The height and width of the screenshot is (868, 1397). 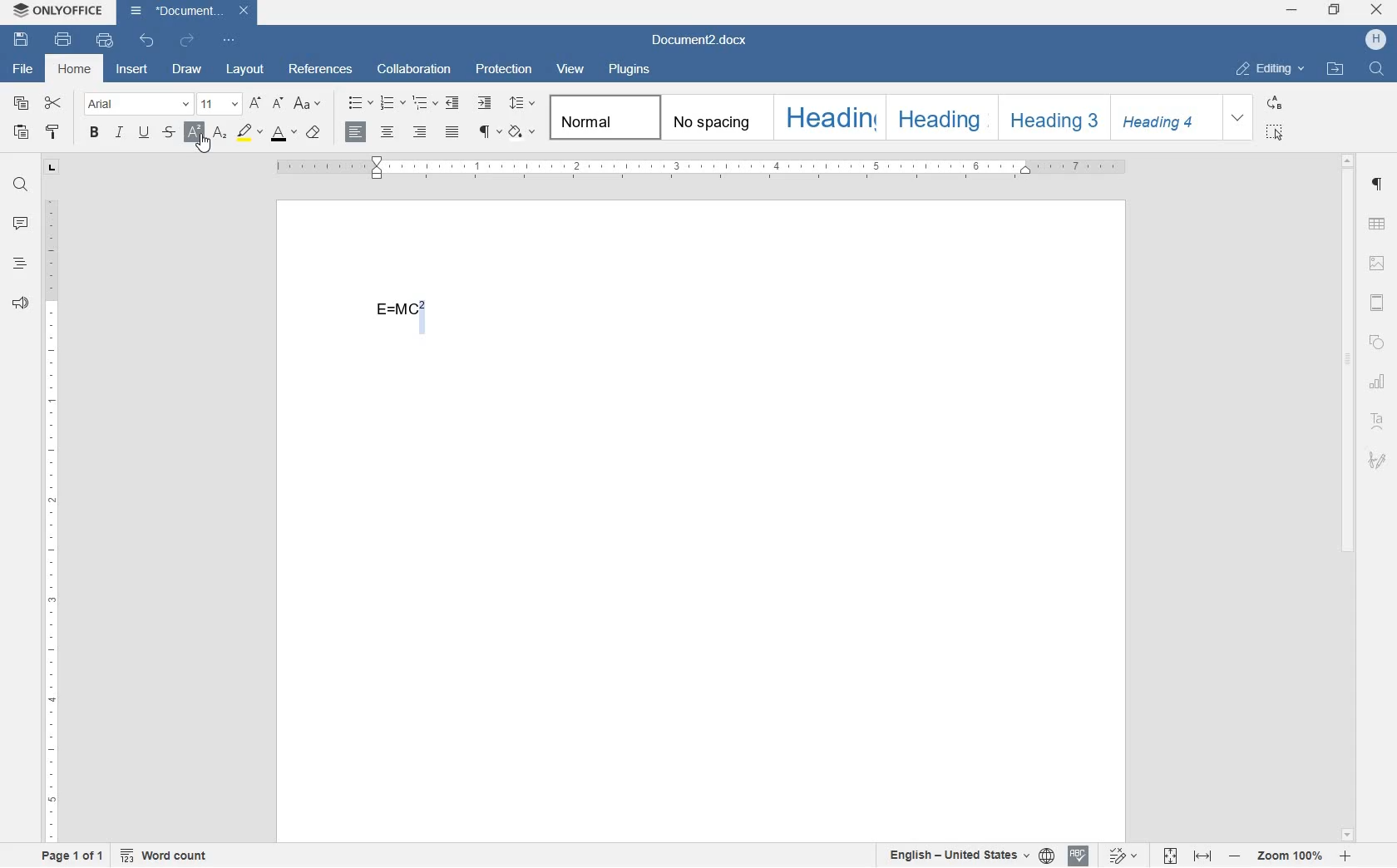 I want to click on align right, so click(x=419, y=133).